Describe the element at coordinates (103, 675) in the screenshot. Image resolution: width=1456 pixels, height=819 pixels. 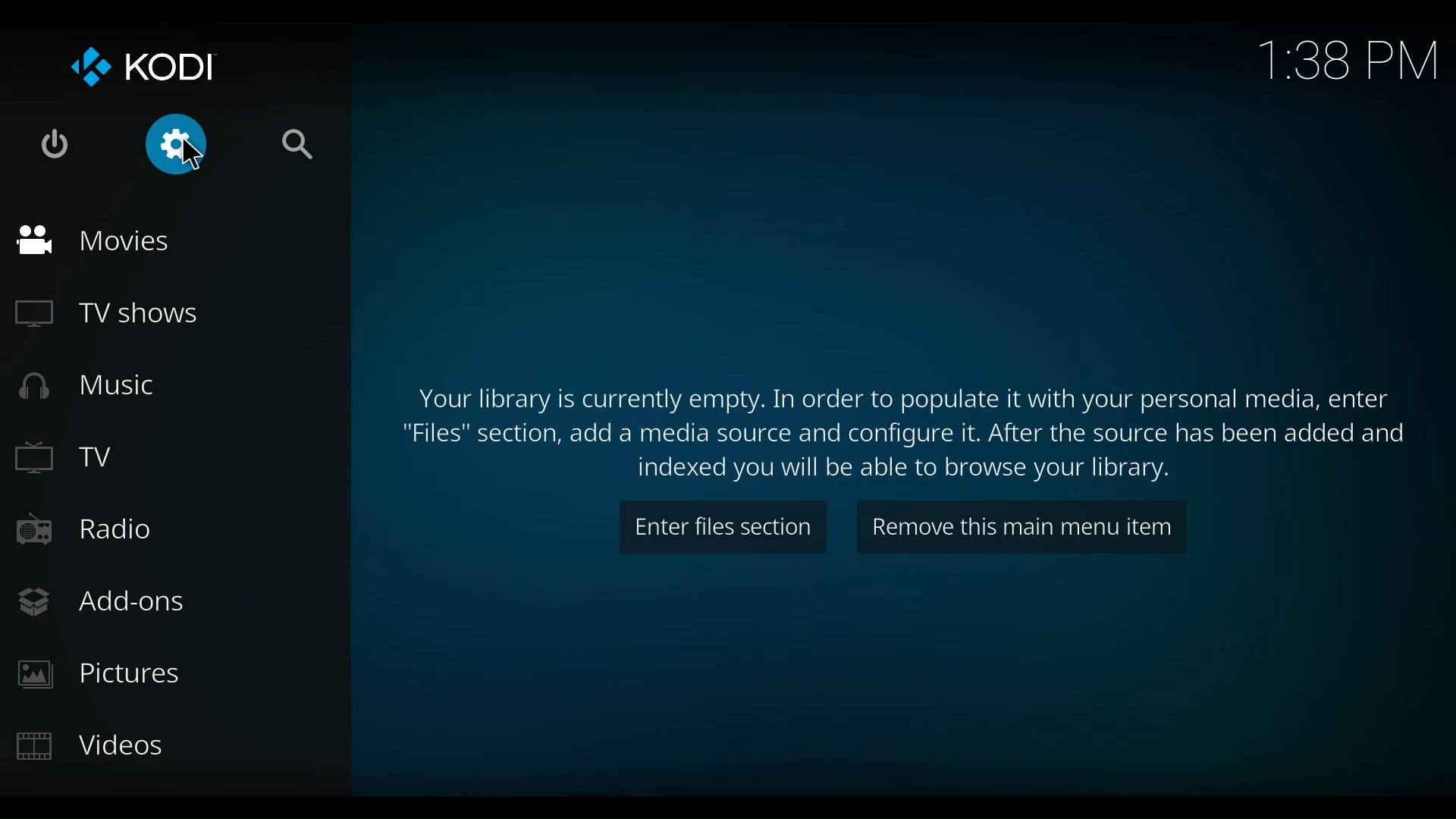
I see `Pictures` at that location.